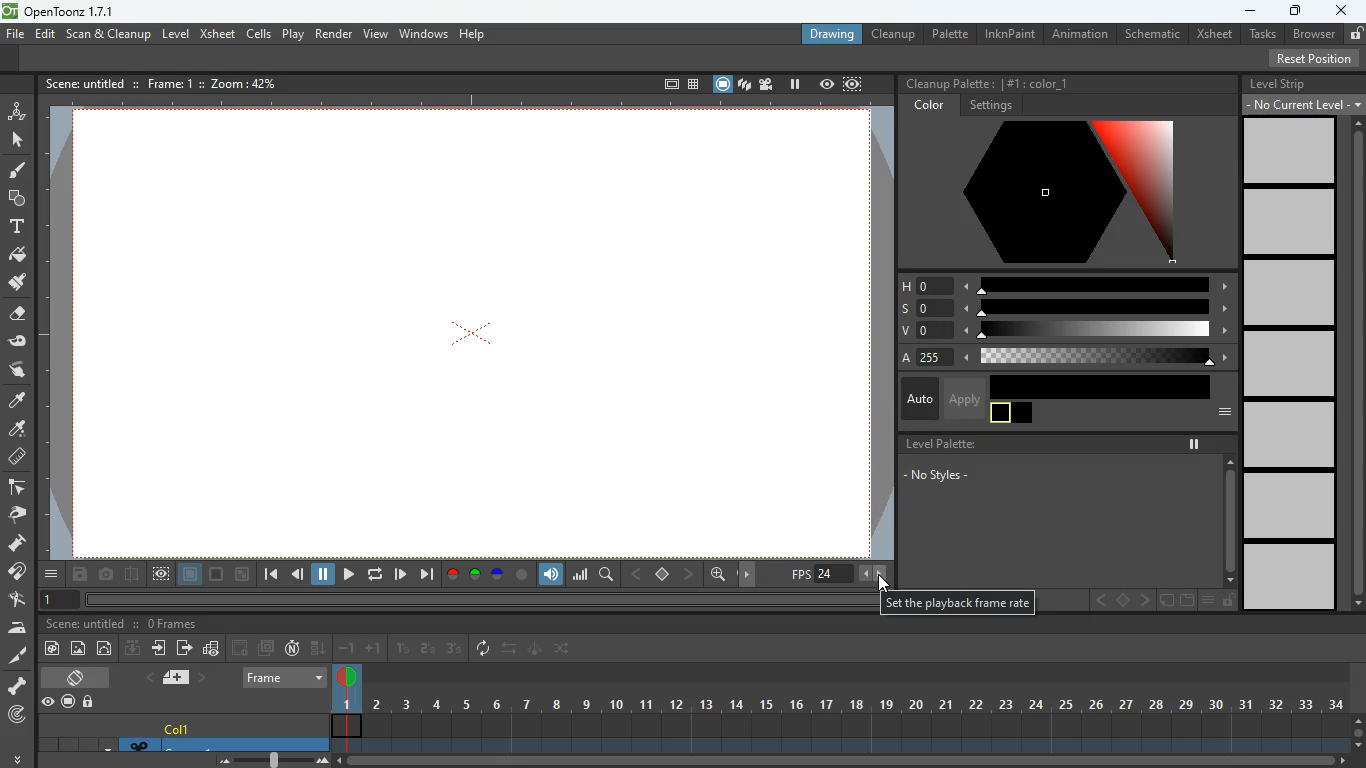 The width and height of the screenshot is (1366, 768). I want to click on edit, so click(17, 600).